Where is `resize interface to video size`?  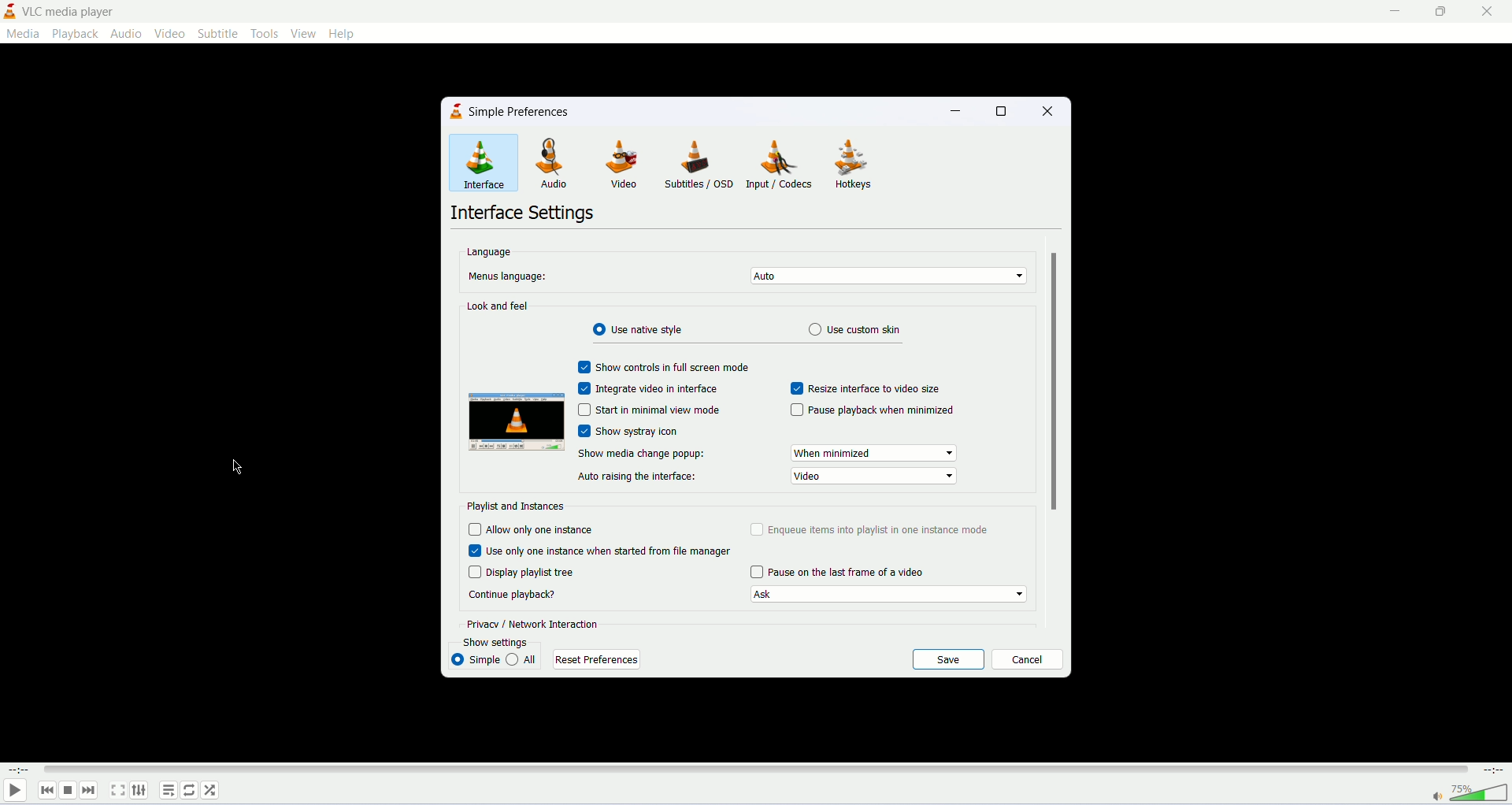 resize interface to video size is located at coordinates (864, 388).